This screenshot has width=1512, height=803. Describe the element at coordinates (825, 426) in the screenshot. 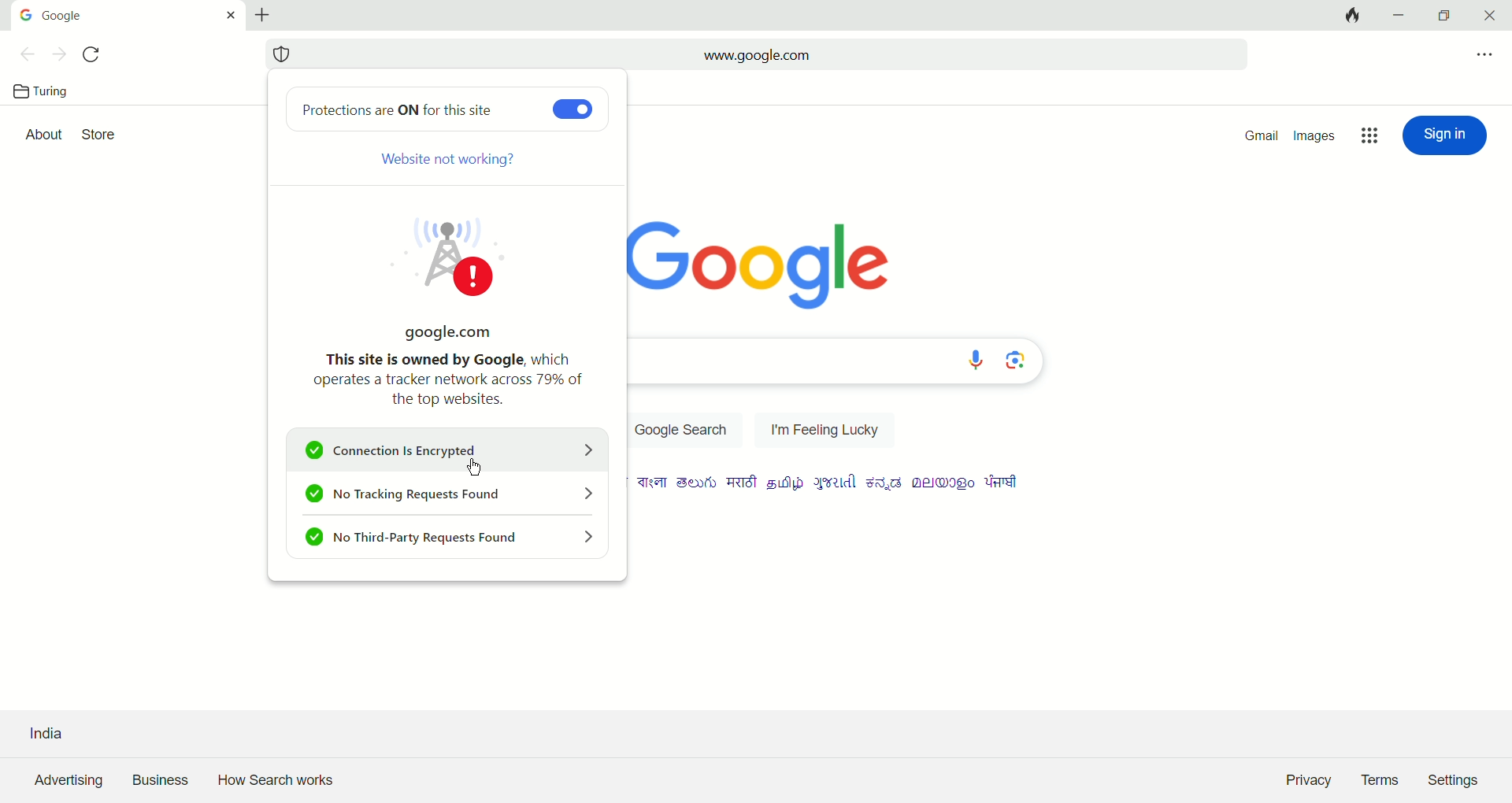

I see `I am feeling lucky` at that location.